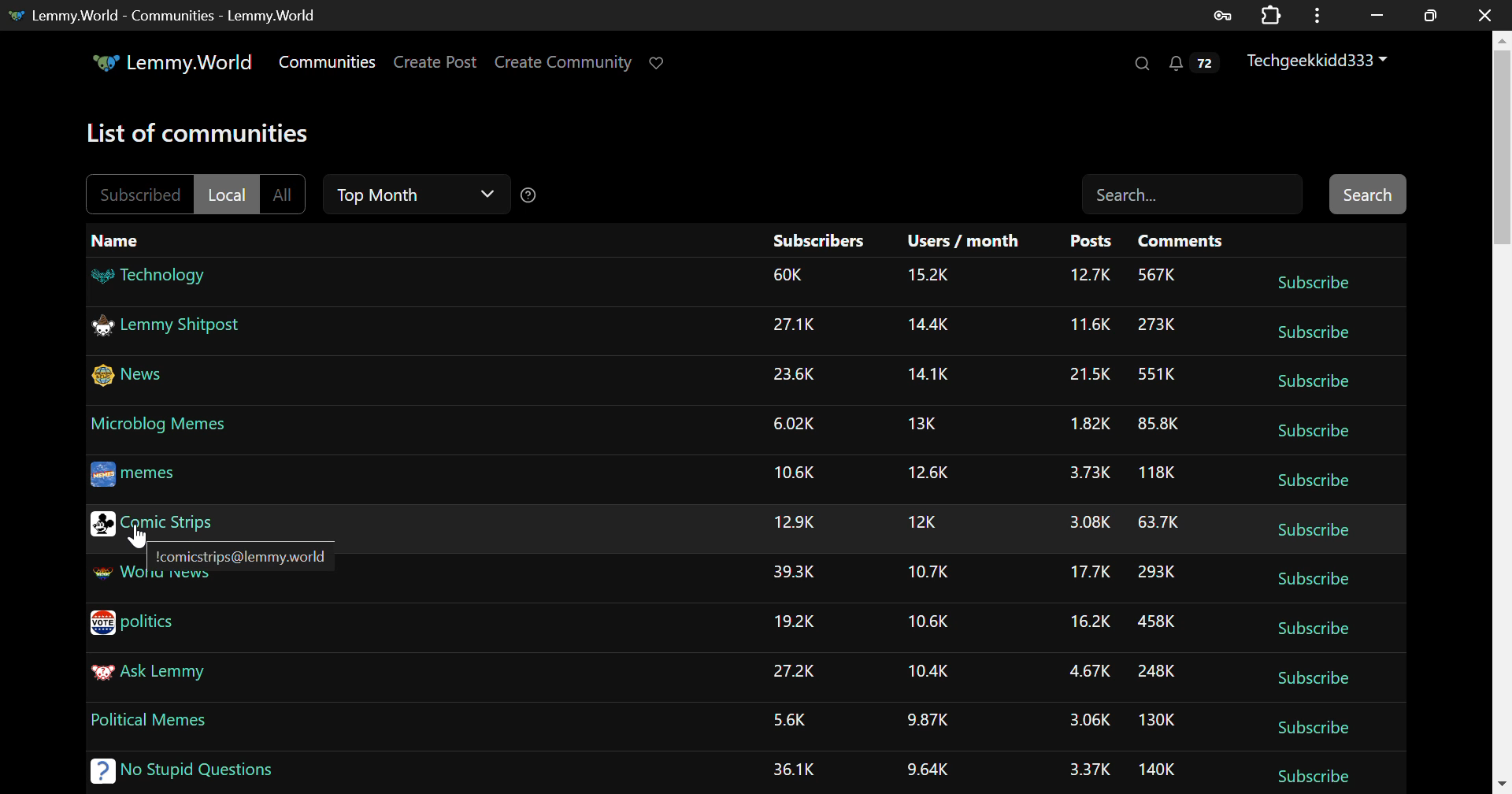  What do you see at coordinates (1088, 771) in the screenshot?
I see `Amount` at bounding box center [1088, 771].